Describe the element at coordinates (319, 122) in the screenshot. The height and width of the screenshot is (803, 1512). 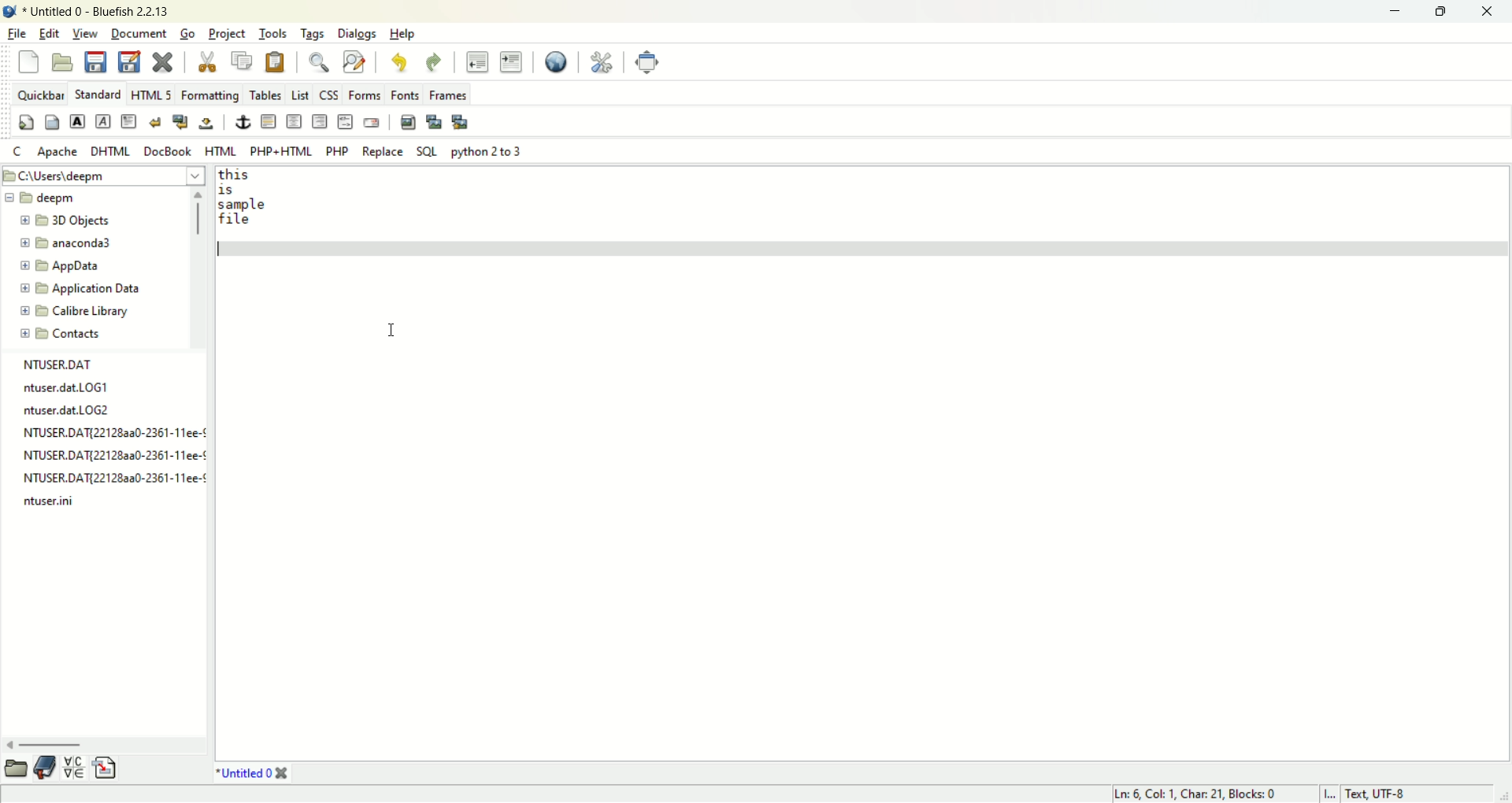
I see `right justify` at that location.